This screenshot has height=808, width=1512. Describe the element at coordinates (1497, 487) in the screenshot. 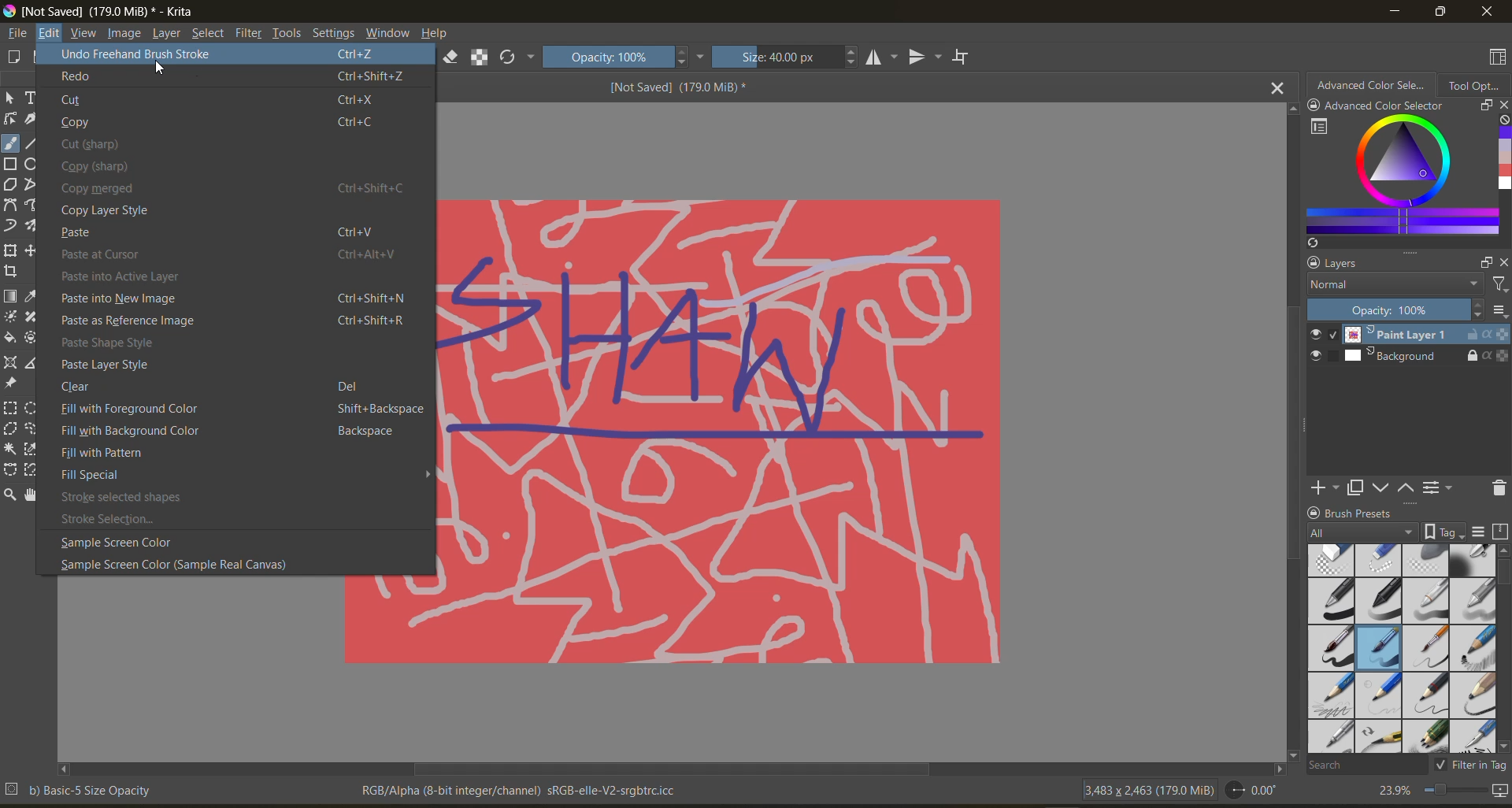

I see `delete mask` at that location.